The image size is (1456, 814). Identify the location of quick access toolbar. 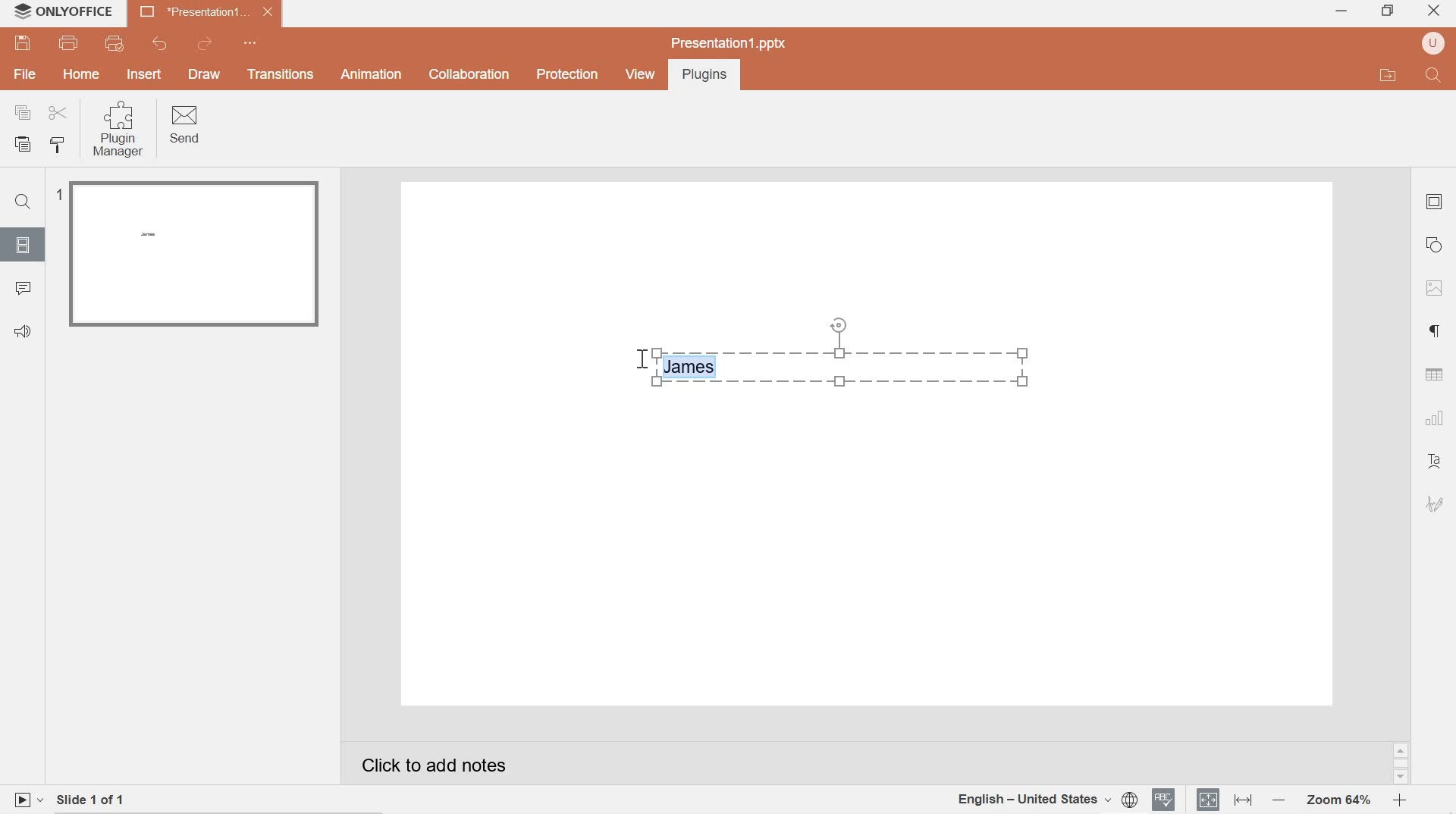
(253, 43).